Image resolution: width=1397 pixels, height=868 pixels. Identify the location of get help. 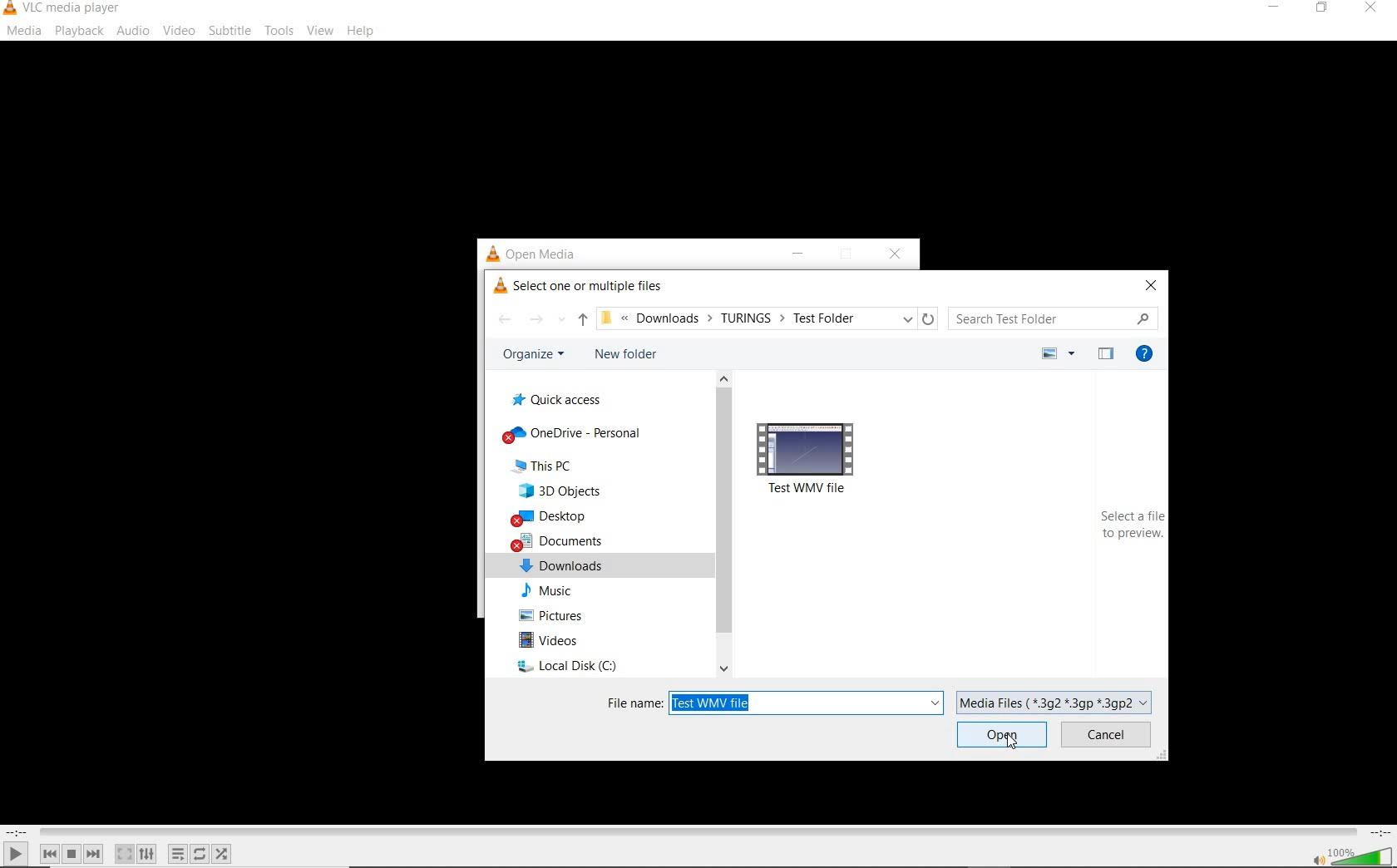
(1145, 353).